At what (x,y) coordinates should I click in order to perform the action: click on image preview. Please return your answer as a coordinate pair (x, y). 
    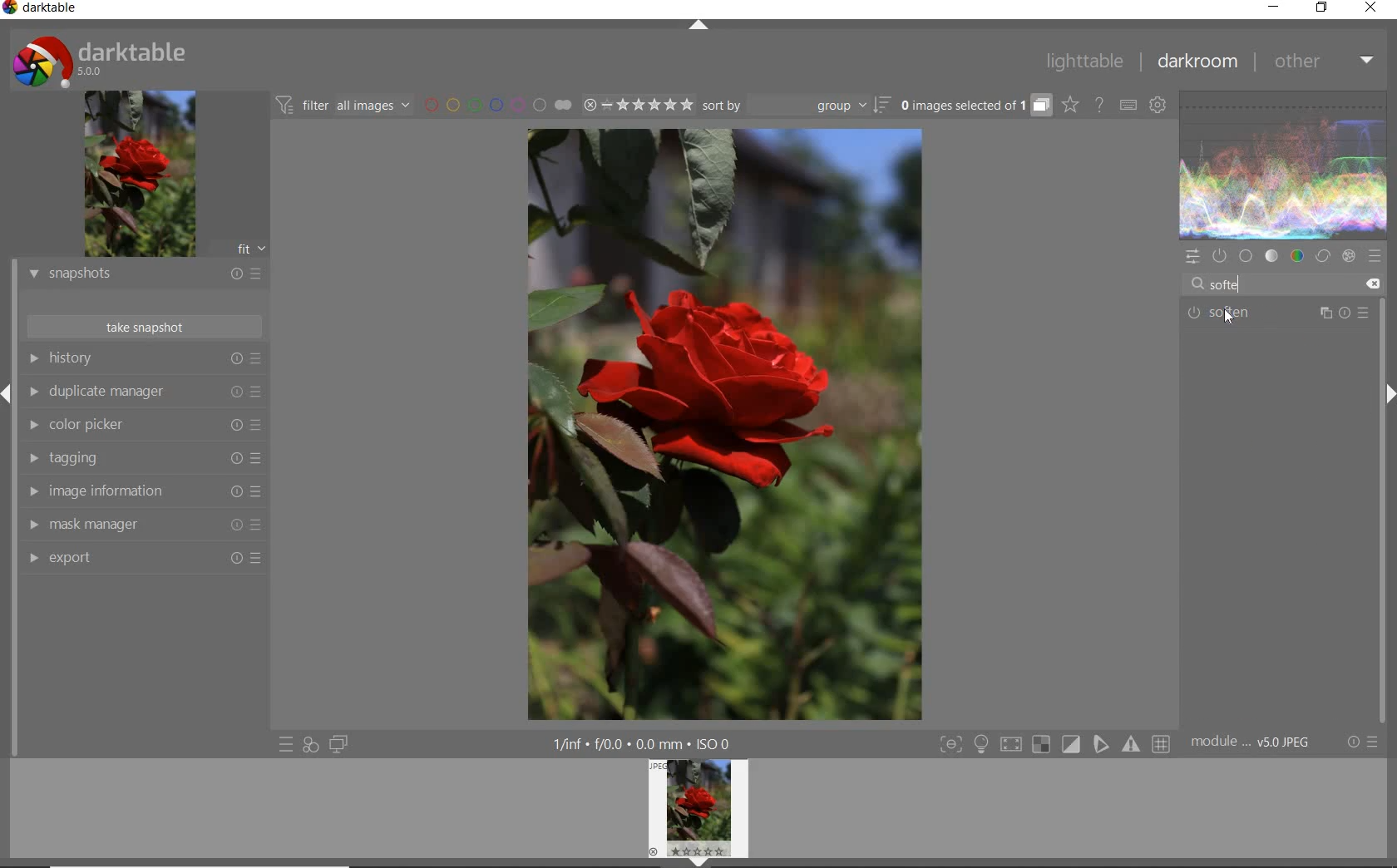
    Looking at the image, I should click on (139, 175).